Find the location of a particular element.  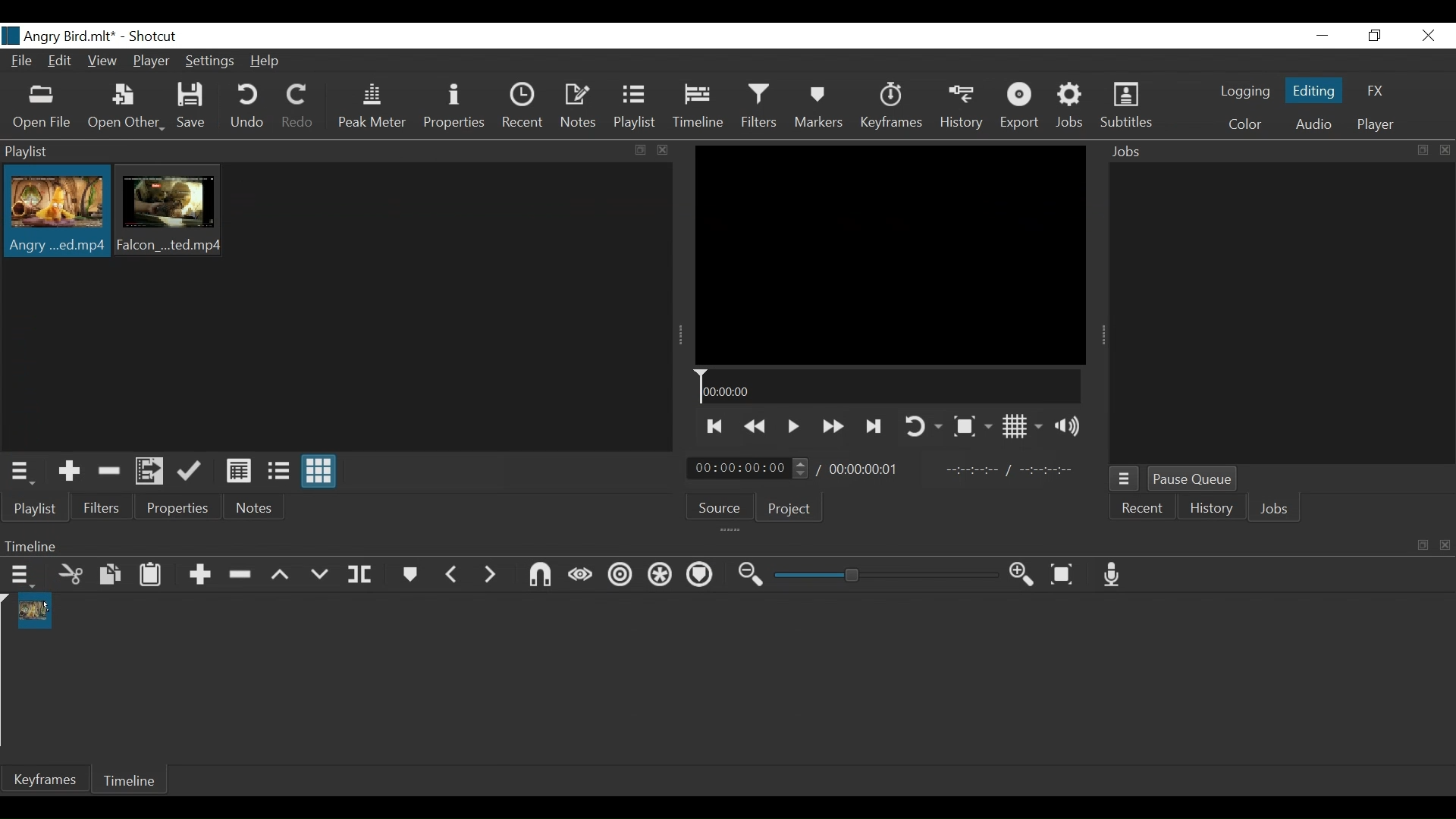

Skip to the next point is located at coordinates (874, 427).